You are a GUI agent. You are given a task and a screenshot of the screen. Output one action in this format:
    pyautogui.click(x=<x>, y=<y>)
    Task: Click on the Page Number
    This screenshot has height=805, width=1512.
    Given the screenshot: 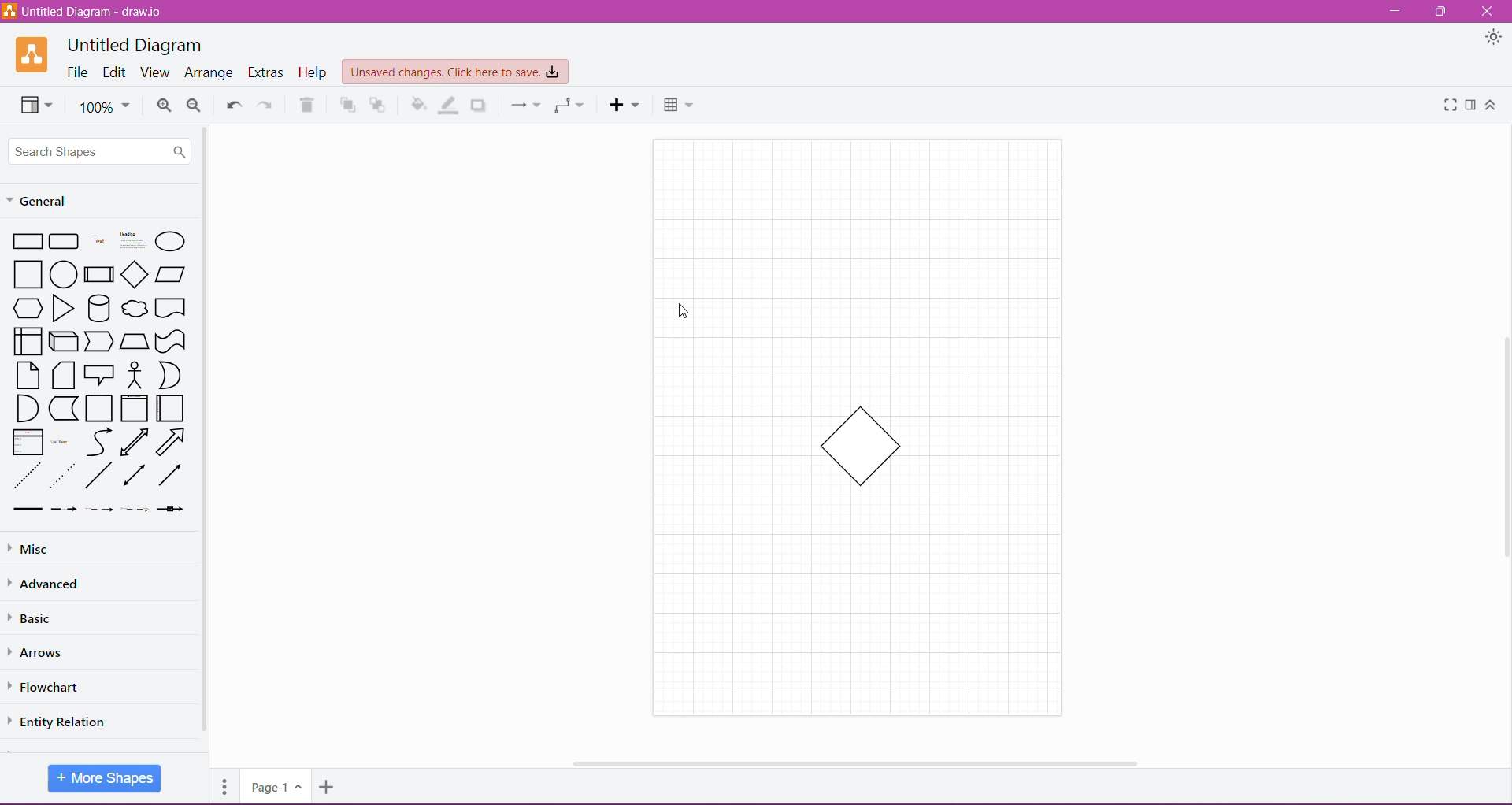 What is the action you would take?
    pyautogui.click(x=274, y=788)
    